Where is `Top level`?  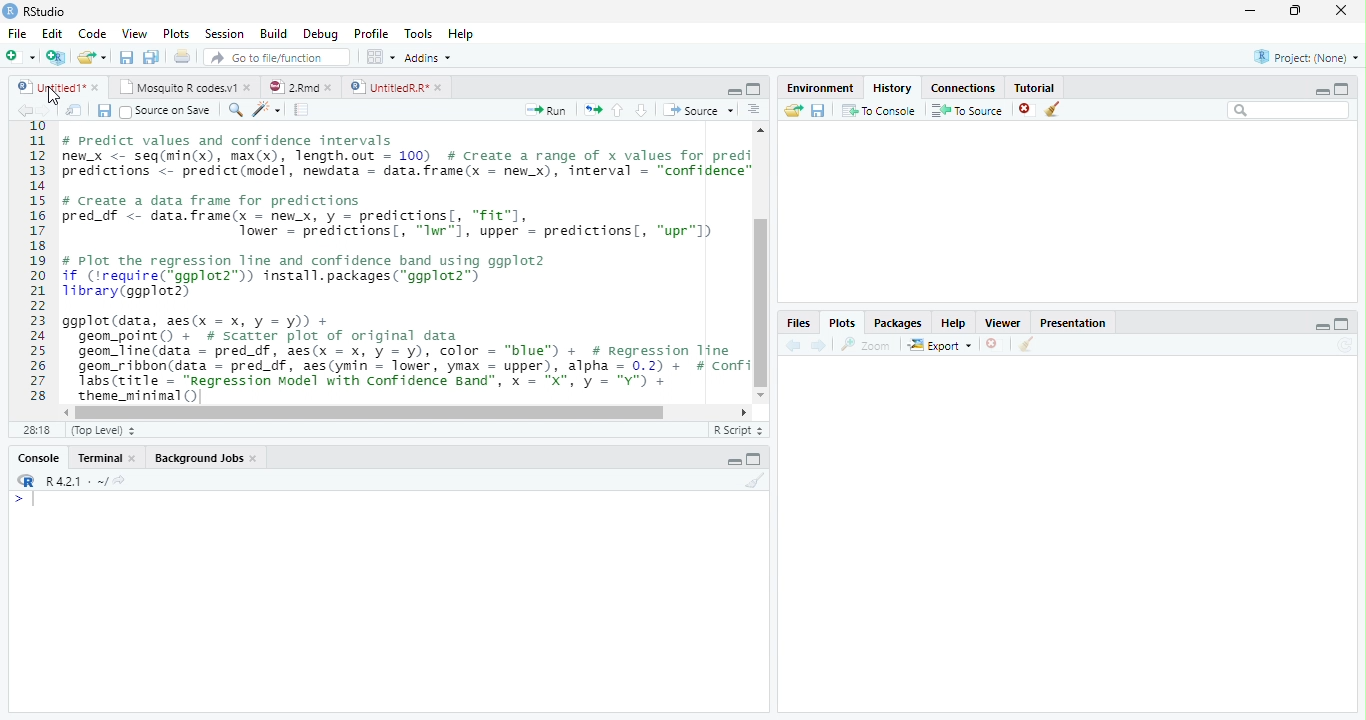 Top level is located at coordinates (102, 432).